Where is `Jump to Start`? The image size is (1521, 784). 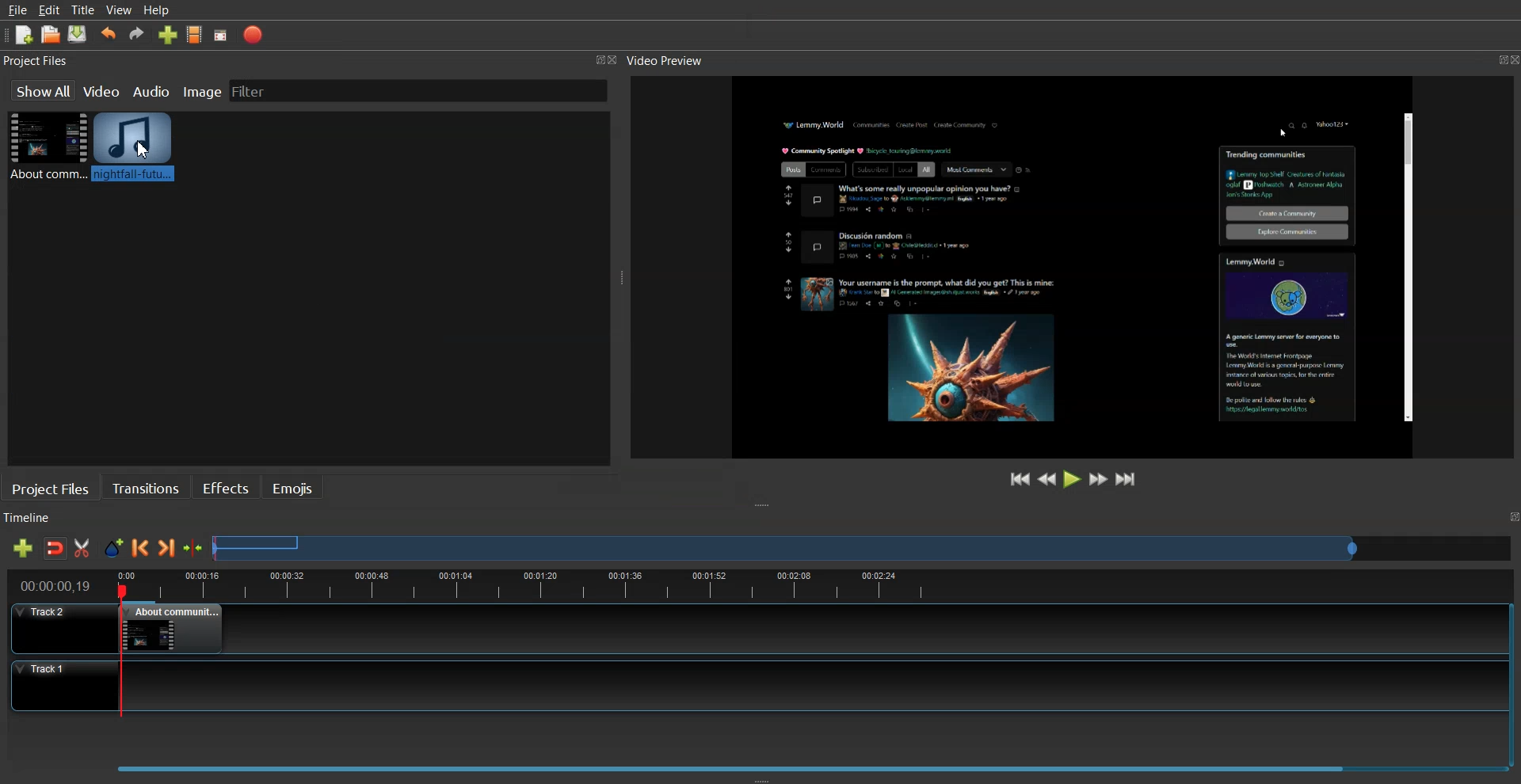
Jump to Start is located at coordinates (1021, 479).